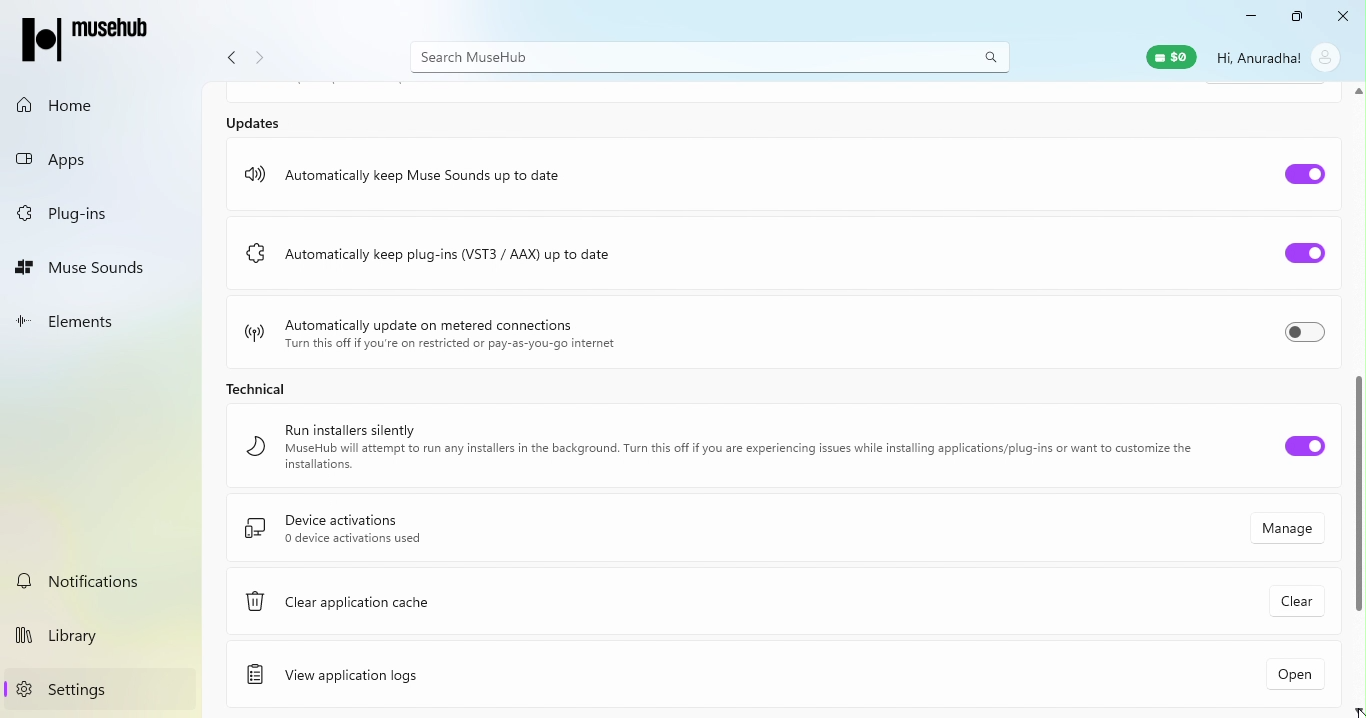 This screenshot has height=718, width=1366. What do you see at coordinates (1244, 18) in the screenshot?
I see `Minimize` at bounding box center [1244, 18].